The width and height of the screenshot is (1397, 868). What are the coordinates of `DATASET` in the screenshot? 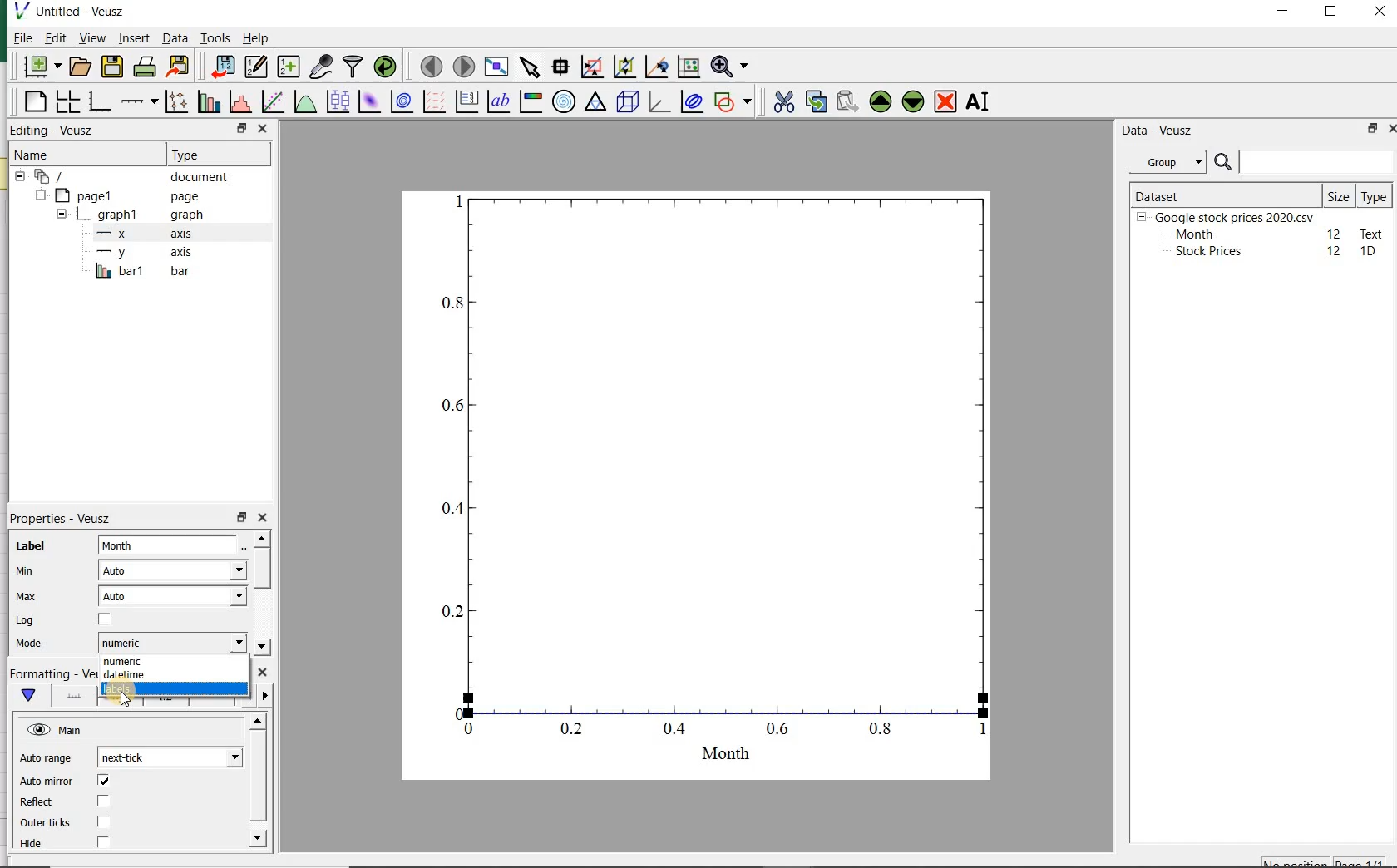 It's located at (1224, 193).